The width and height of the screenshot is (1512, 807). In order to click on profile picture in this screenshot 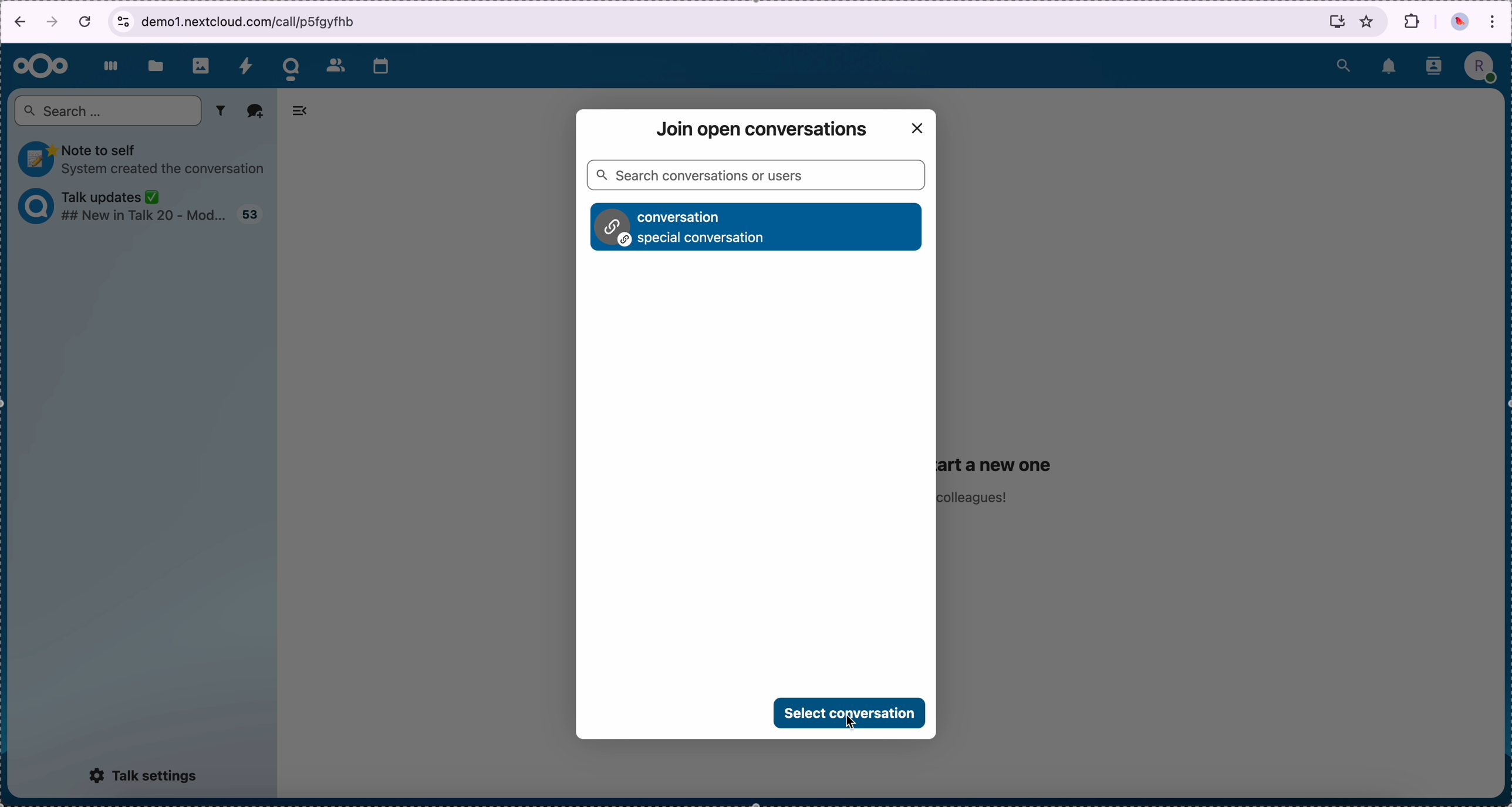, I will do `click(1483, 66)`.